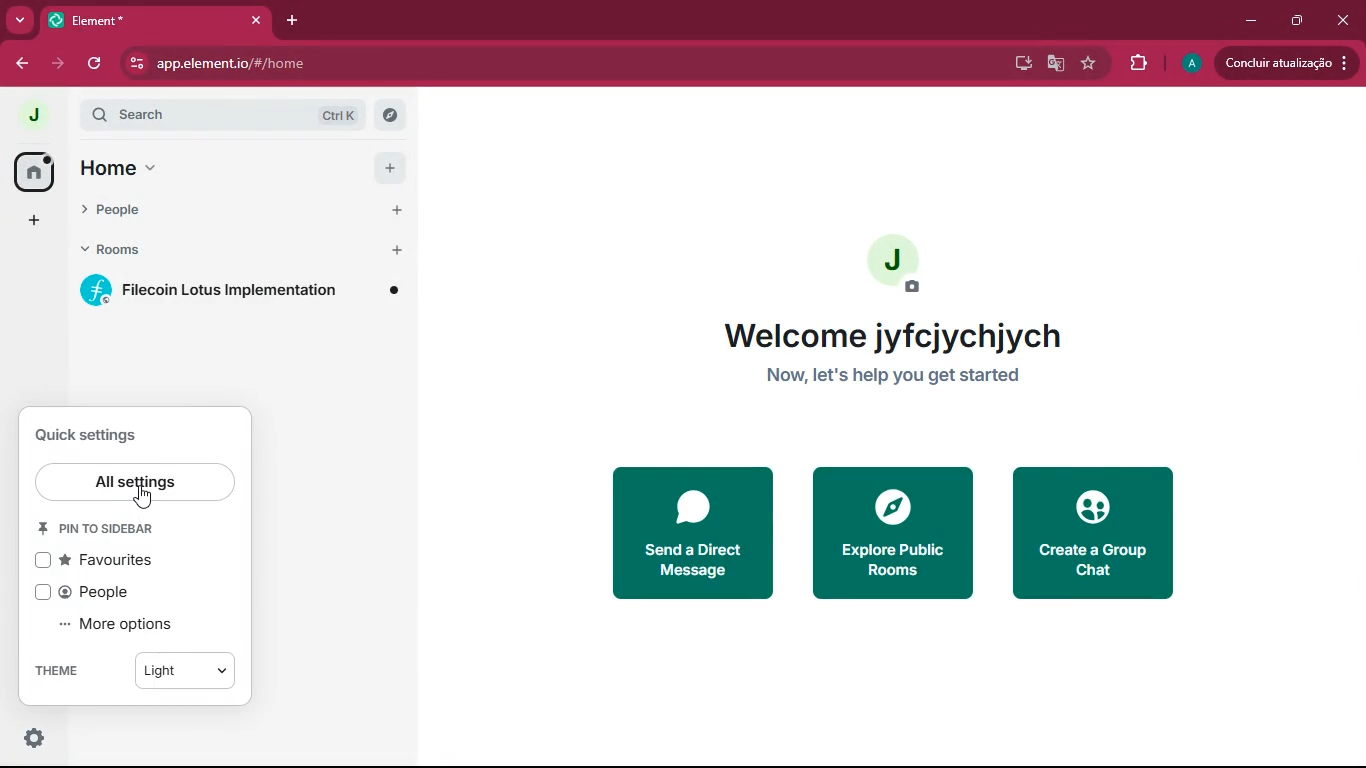  Describe the element at coordinates (35, 173) in the screenshot. I see `home` at that location.